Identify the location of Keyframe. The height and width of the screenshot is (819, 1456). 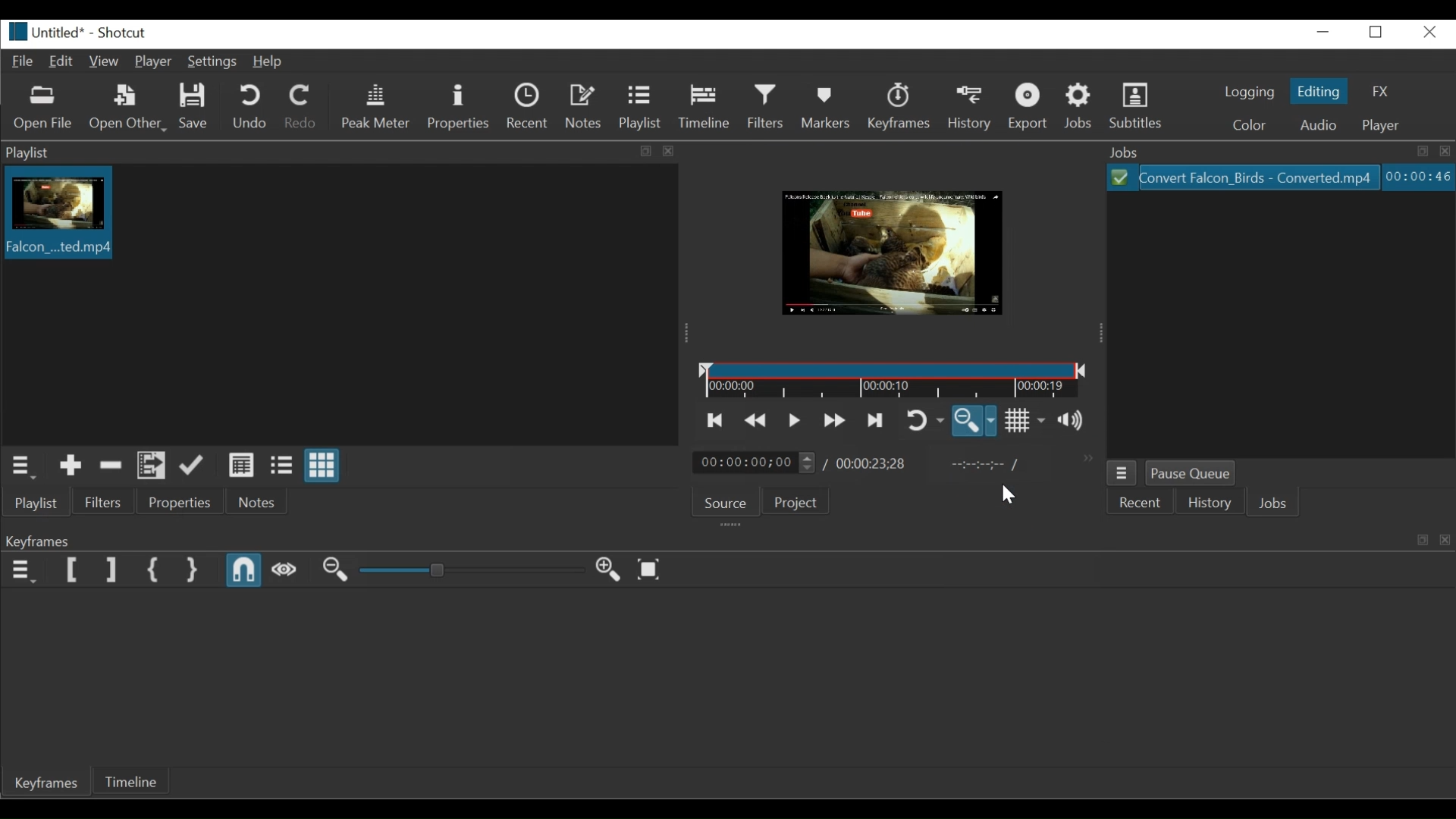
(899, 106).